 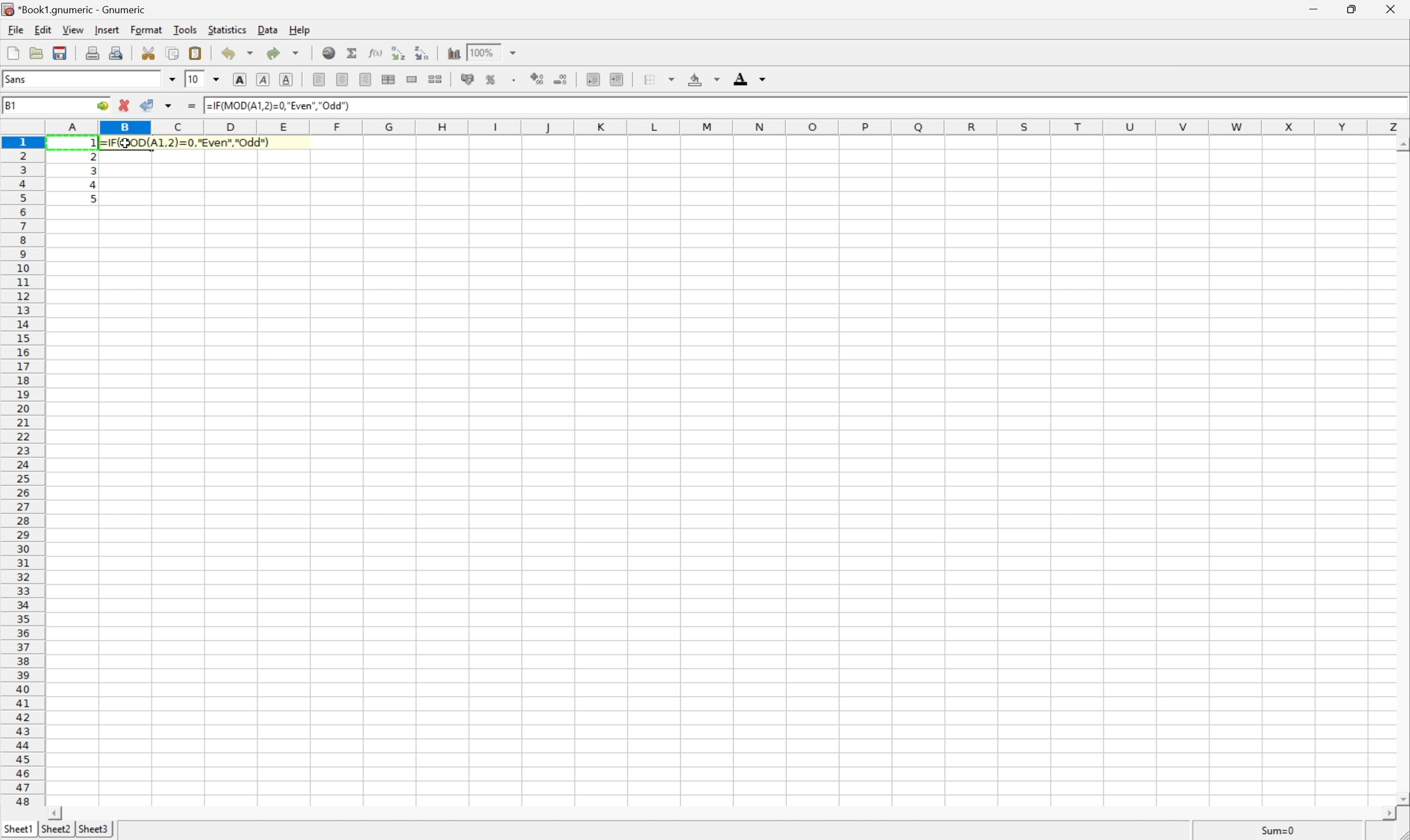 I want to click on Paste clipboard, so click(x=195, y=53).